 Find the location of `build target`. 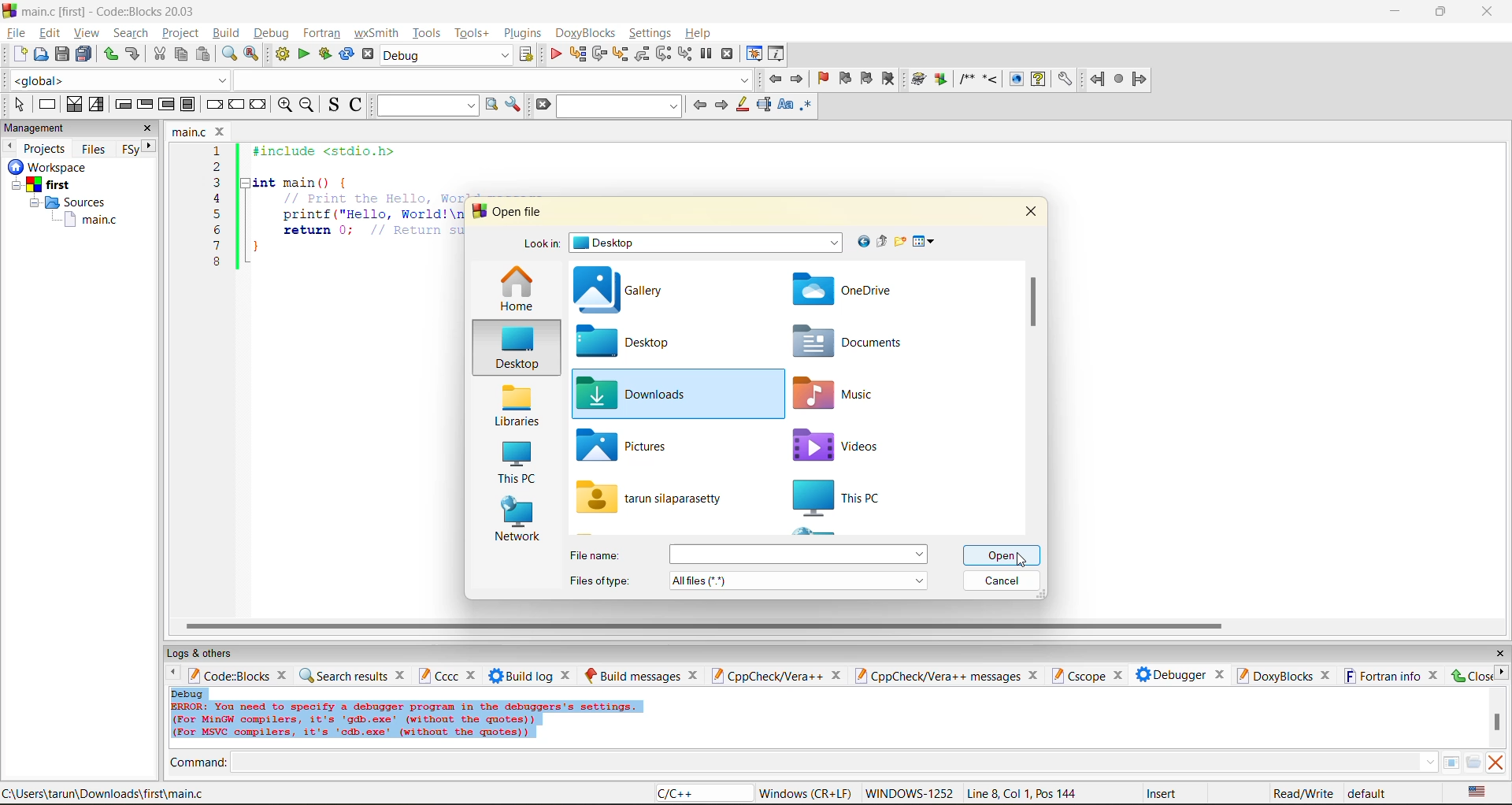

build target is located at coordinates (447, 54).